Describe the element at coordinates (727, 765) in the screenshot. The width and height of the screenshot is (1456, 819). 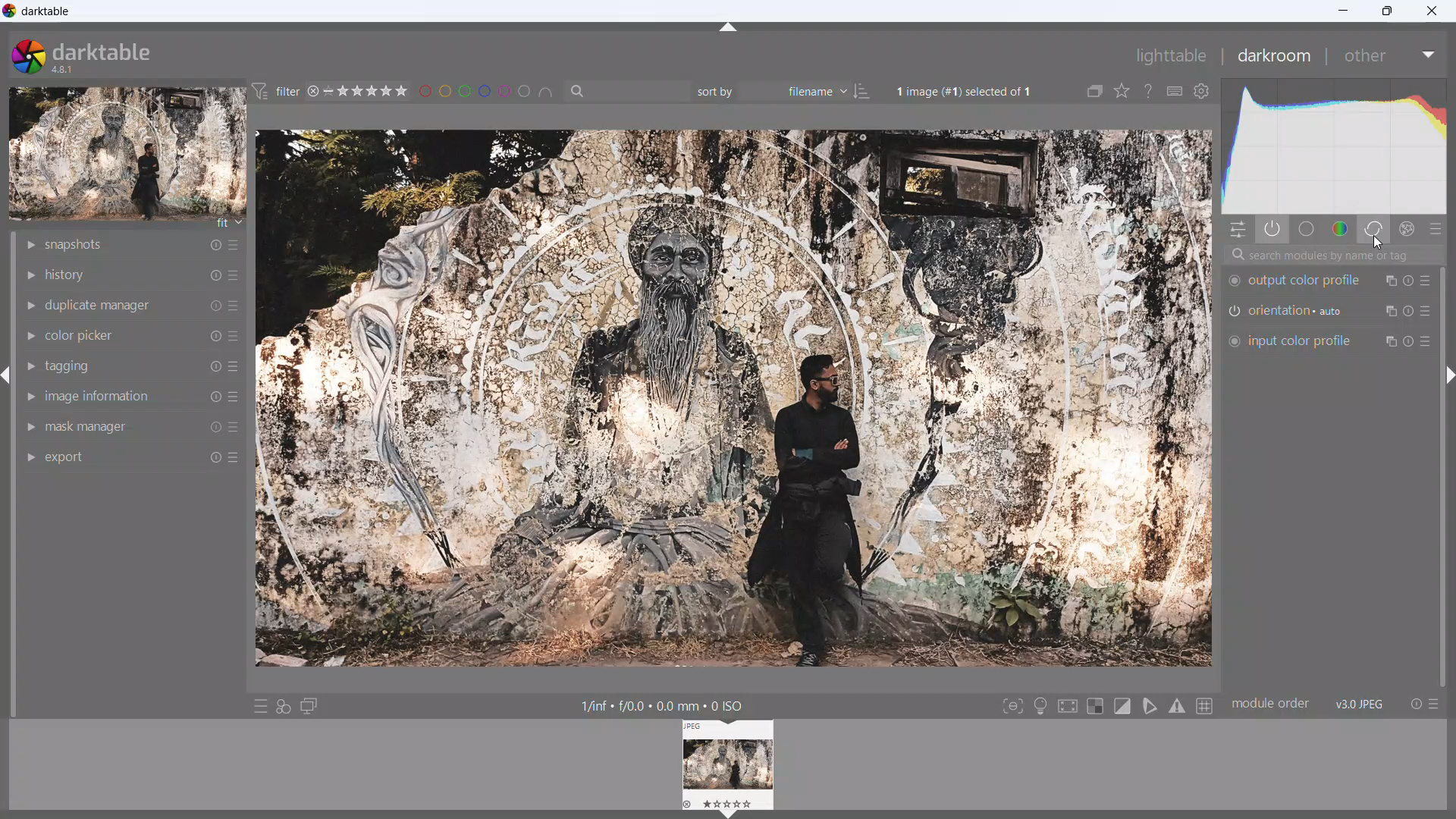
I see `lighttable preview` at that location.